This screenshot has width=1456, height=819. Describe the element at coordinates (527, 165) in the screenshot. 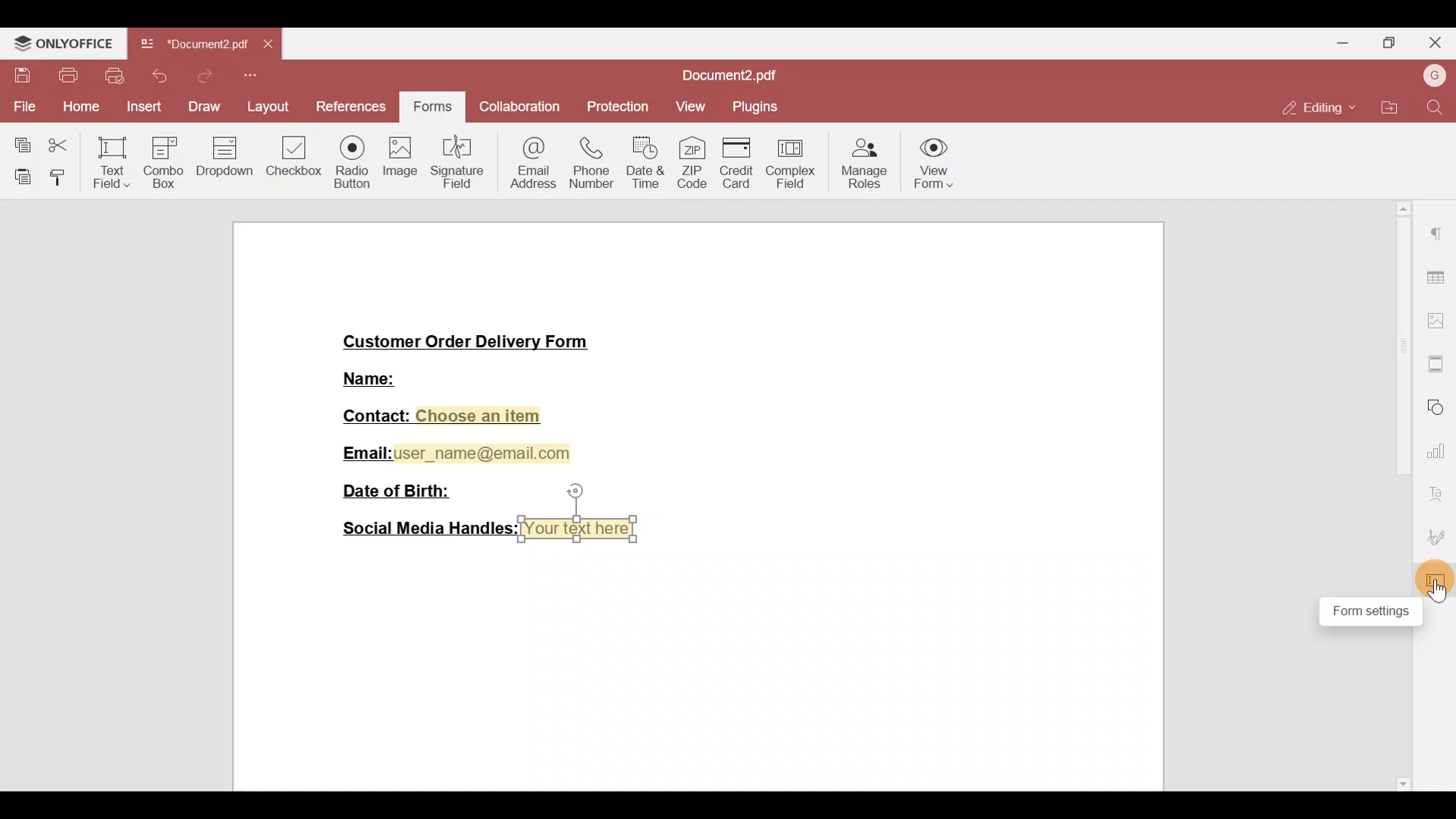

I see `Email address` at that location.